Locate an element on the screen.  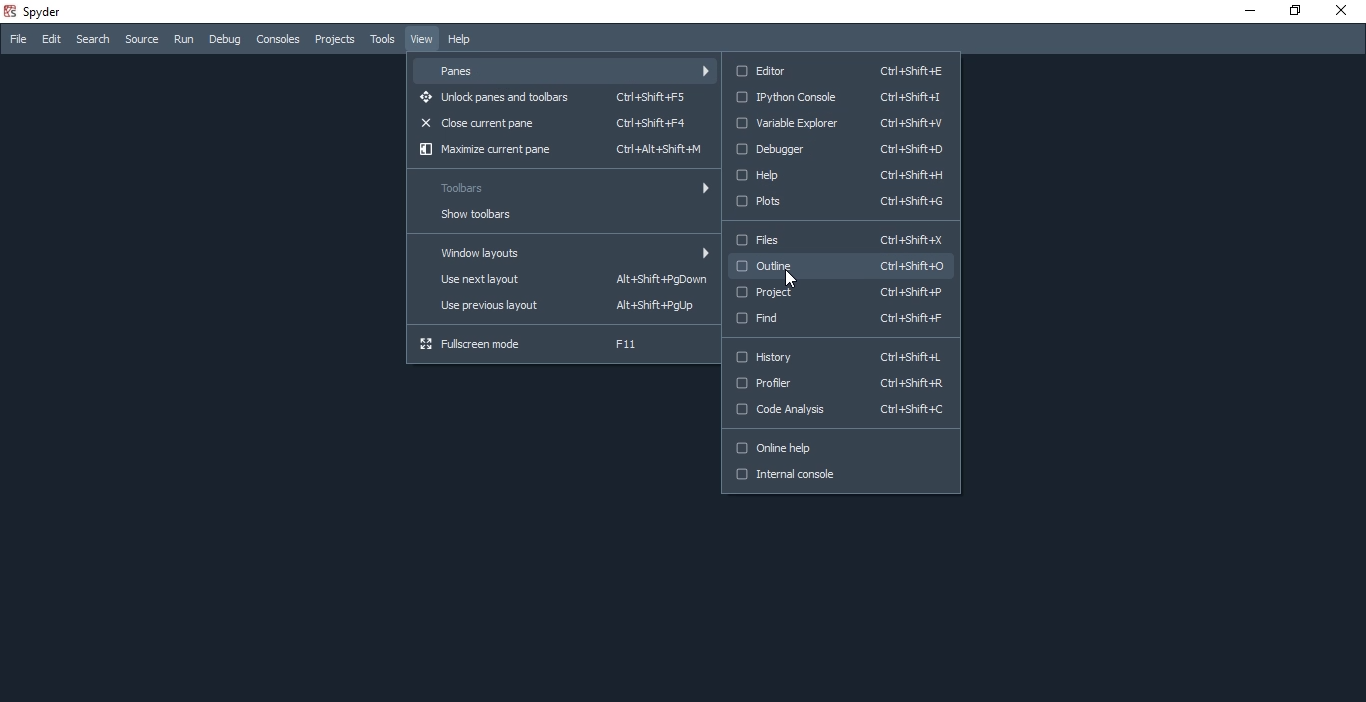
Online help is located at coordinates (839, 451).